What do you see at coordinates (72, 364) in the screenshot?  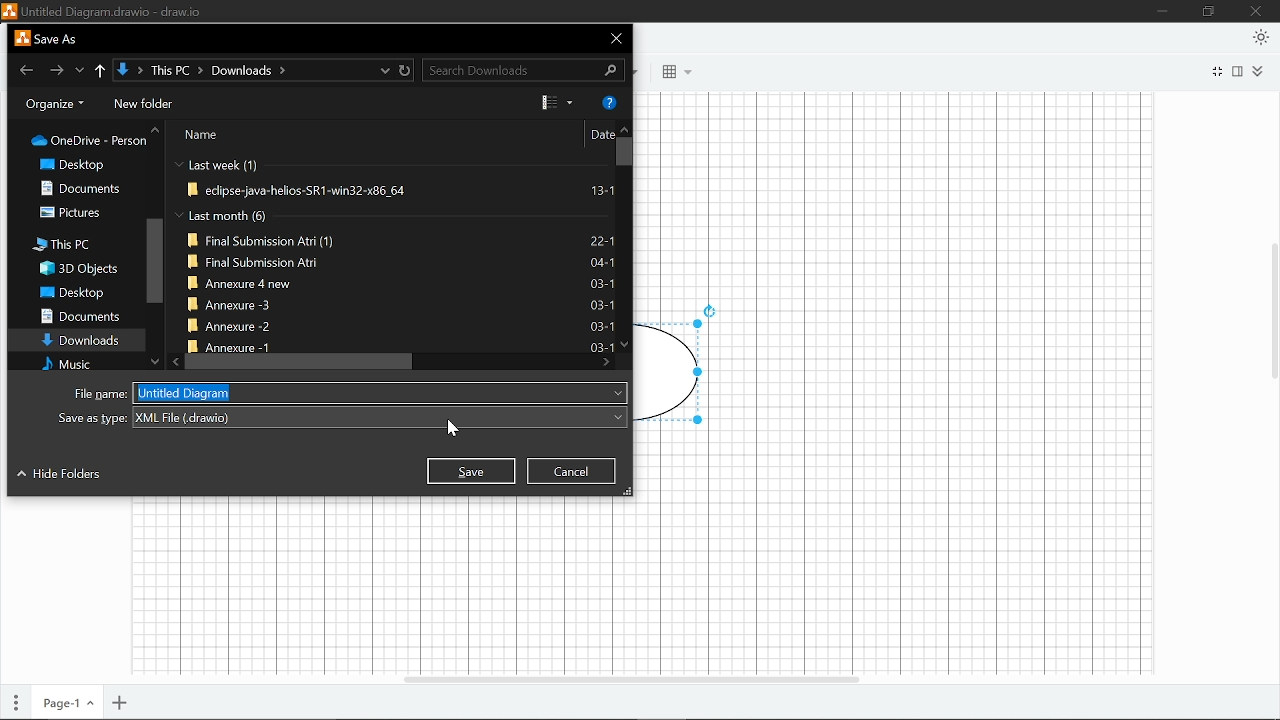 I see `Music` at bounding box center [72, 364].